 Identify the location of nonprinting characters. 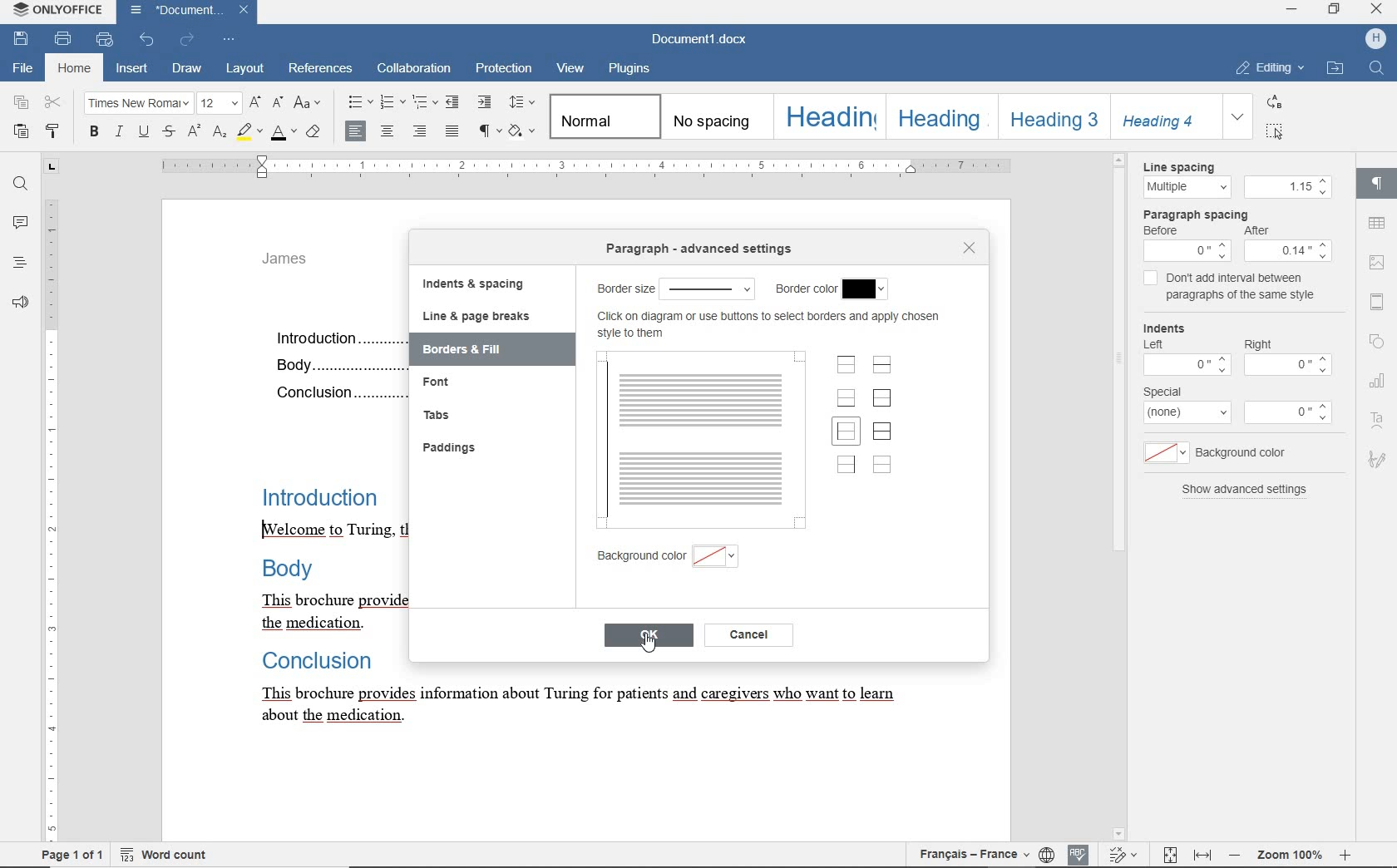
(488, 131).